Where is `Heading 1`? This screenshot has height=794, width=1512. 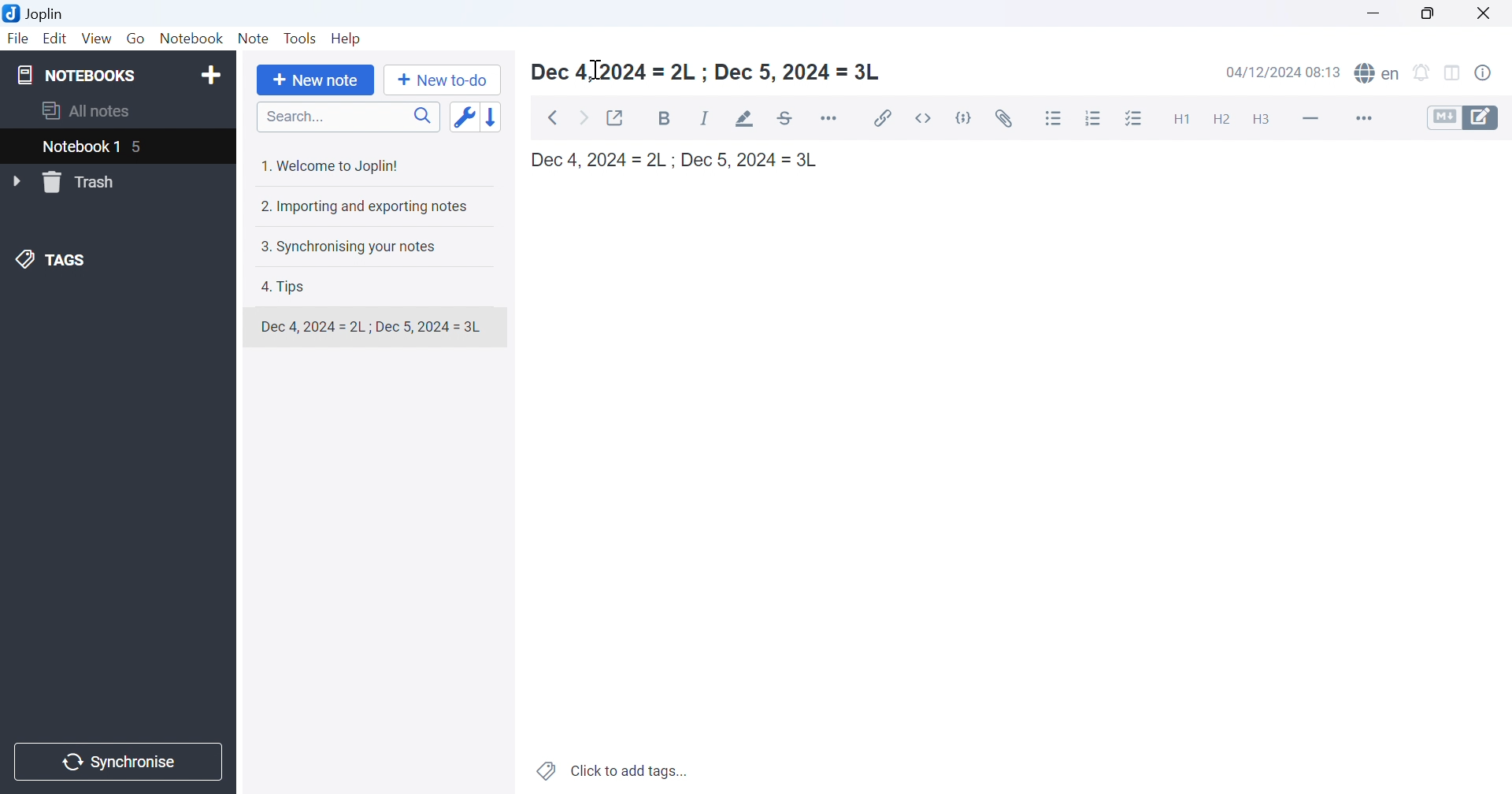 Heading 1 is located at coordinates (1180, 118).